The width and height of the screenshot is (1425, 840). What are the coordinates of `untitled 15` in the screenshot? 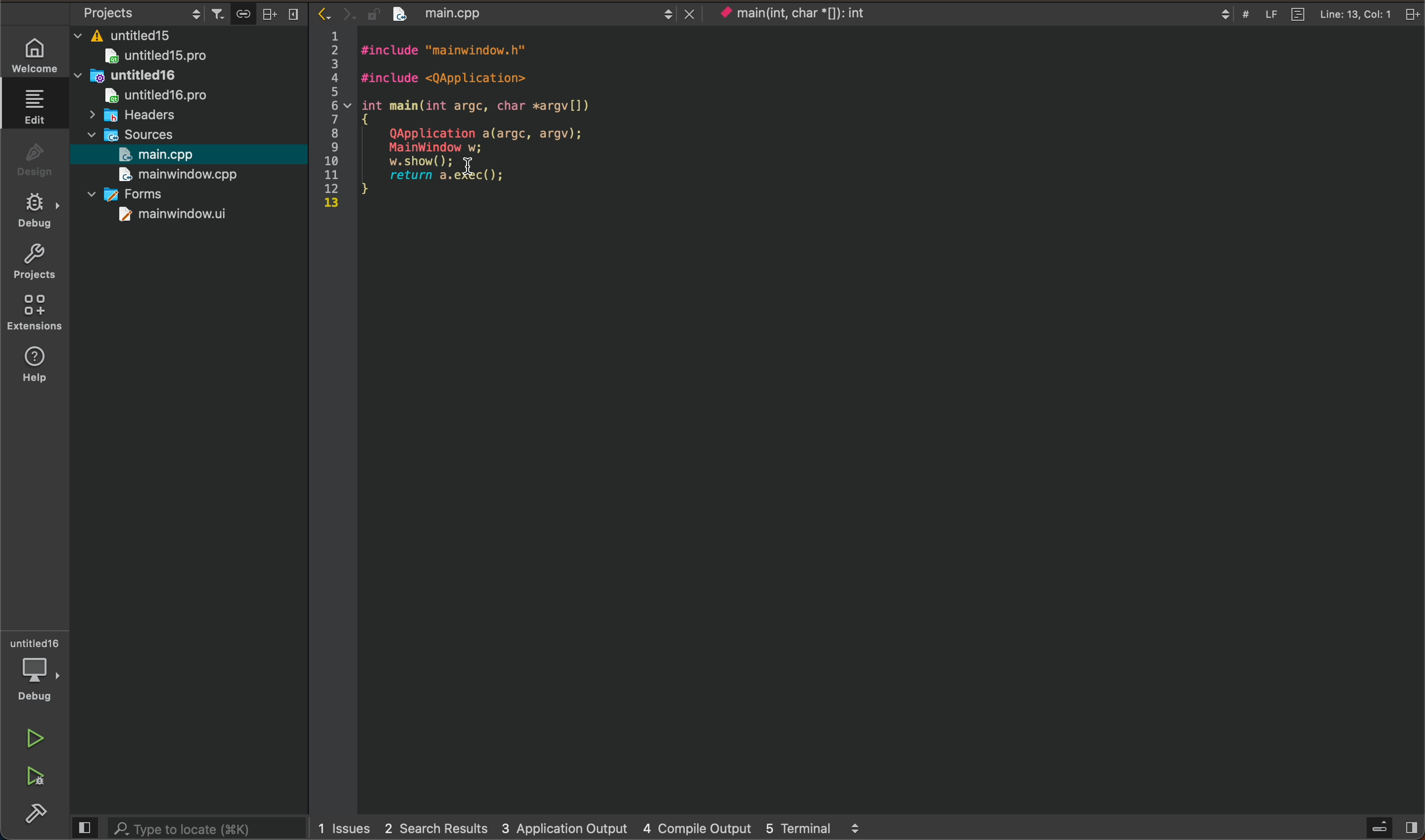 It's located at (170, 58).